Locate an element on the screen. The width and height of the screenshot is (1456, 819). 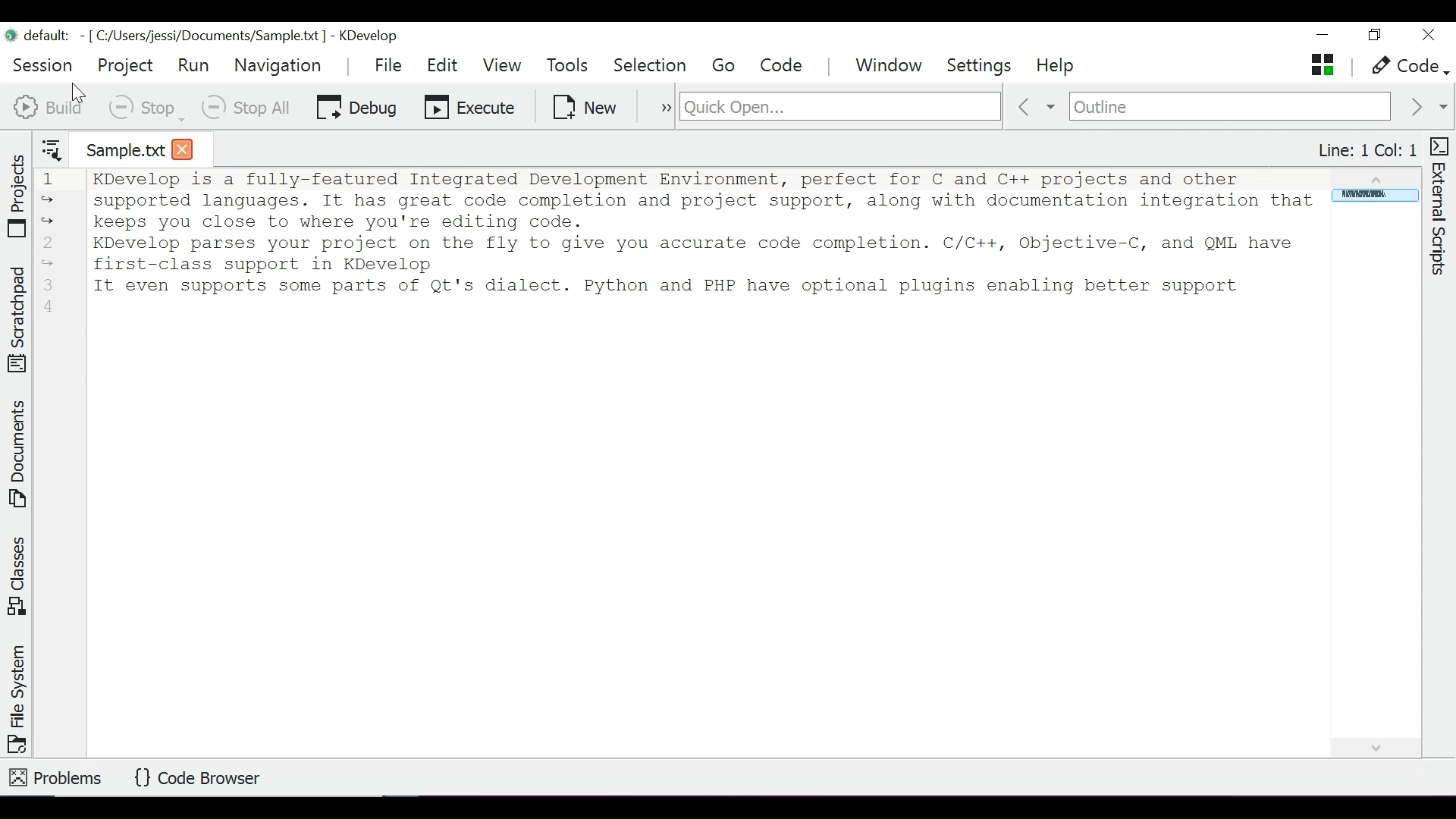
Line and Column is located at coordinates (1369, 149).